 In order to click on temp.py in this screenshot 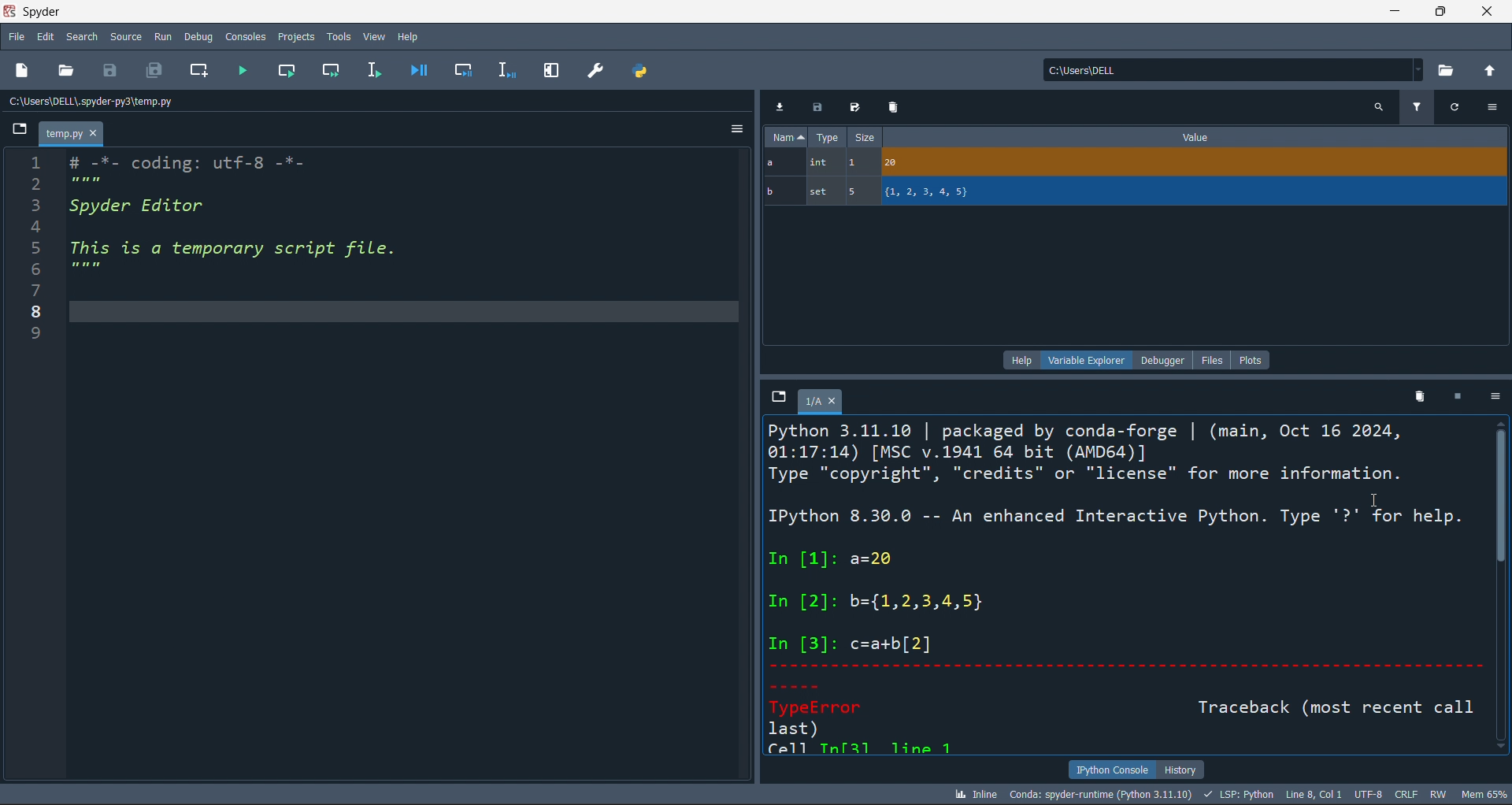, I will do `click(72, 135)`.